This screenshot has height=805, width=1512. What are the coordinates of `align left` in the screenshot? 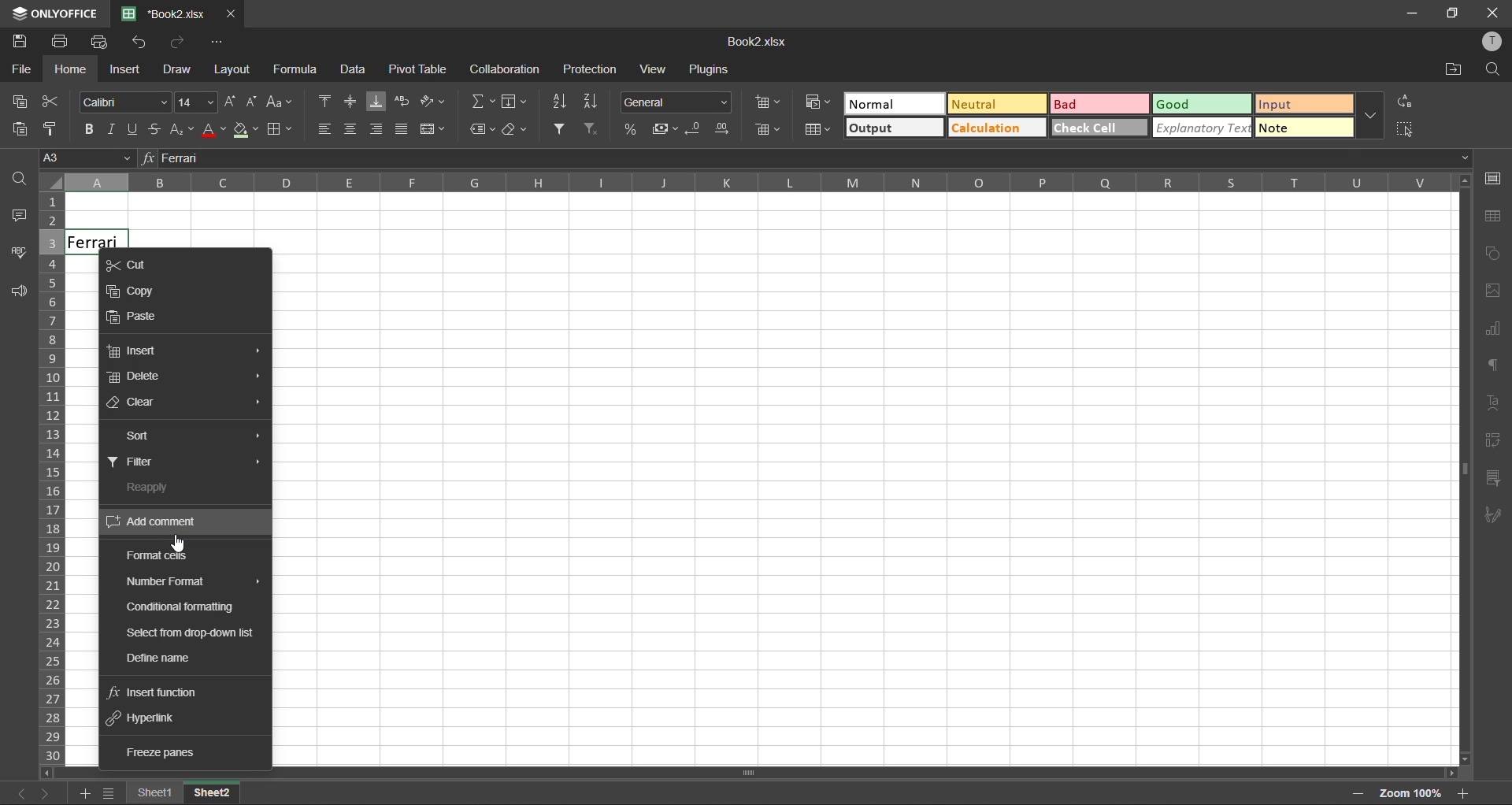 It's located at (324, 129).